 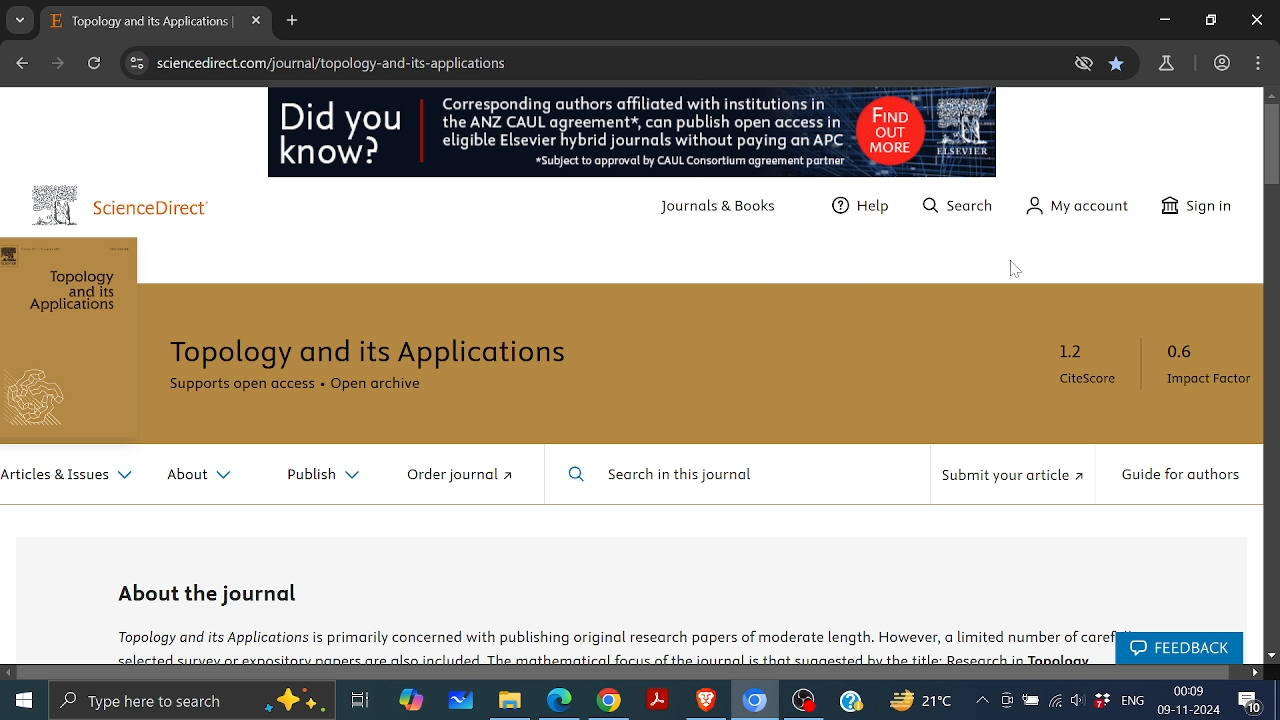 I want to click on Close window, so click(x=1257, y=20).